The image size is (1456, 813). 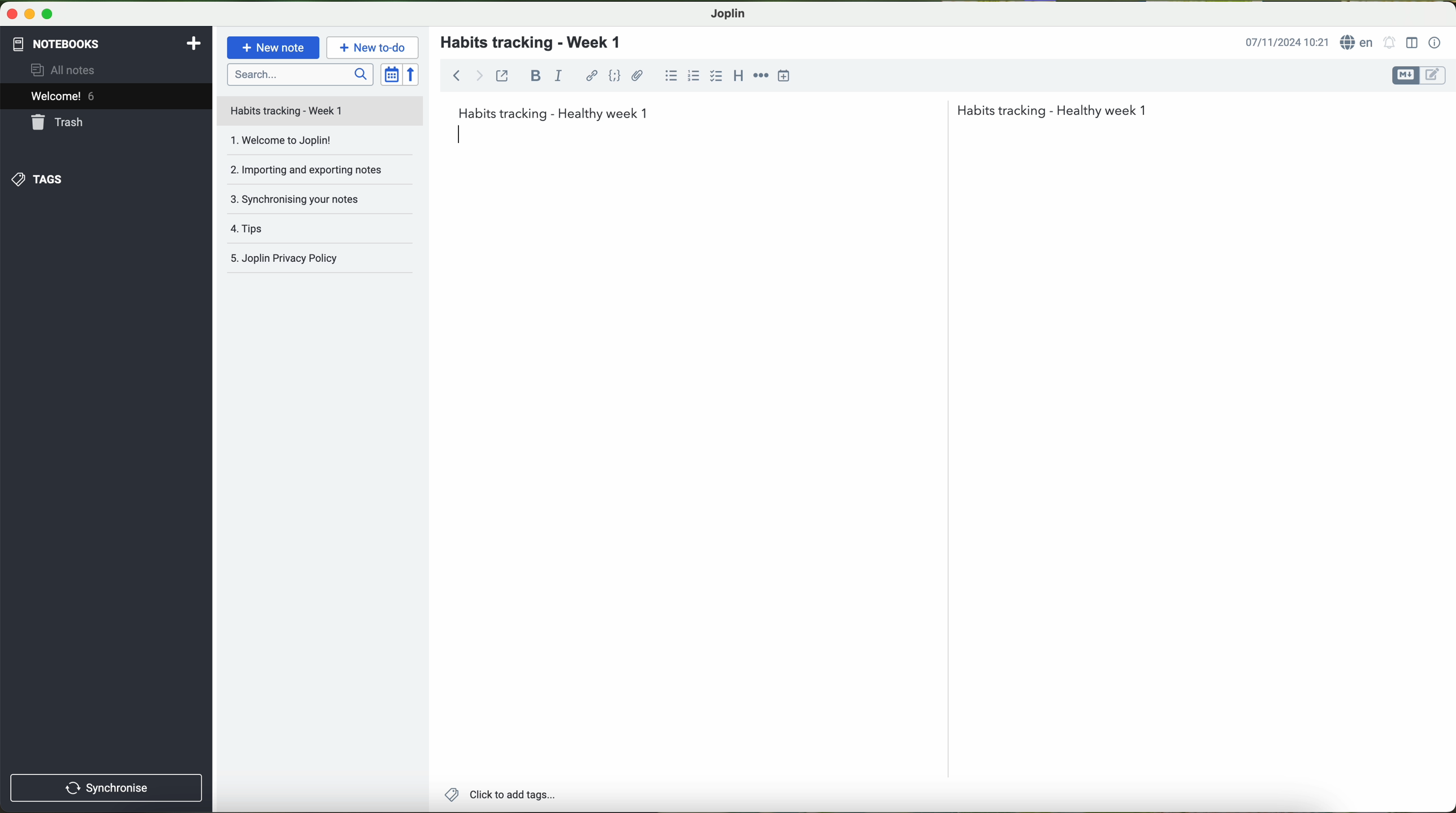 What do you see at coordinates (59, 122) in the screenshot?
I see `trash` at bounding box center [59, 122].